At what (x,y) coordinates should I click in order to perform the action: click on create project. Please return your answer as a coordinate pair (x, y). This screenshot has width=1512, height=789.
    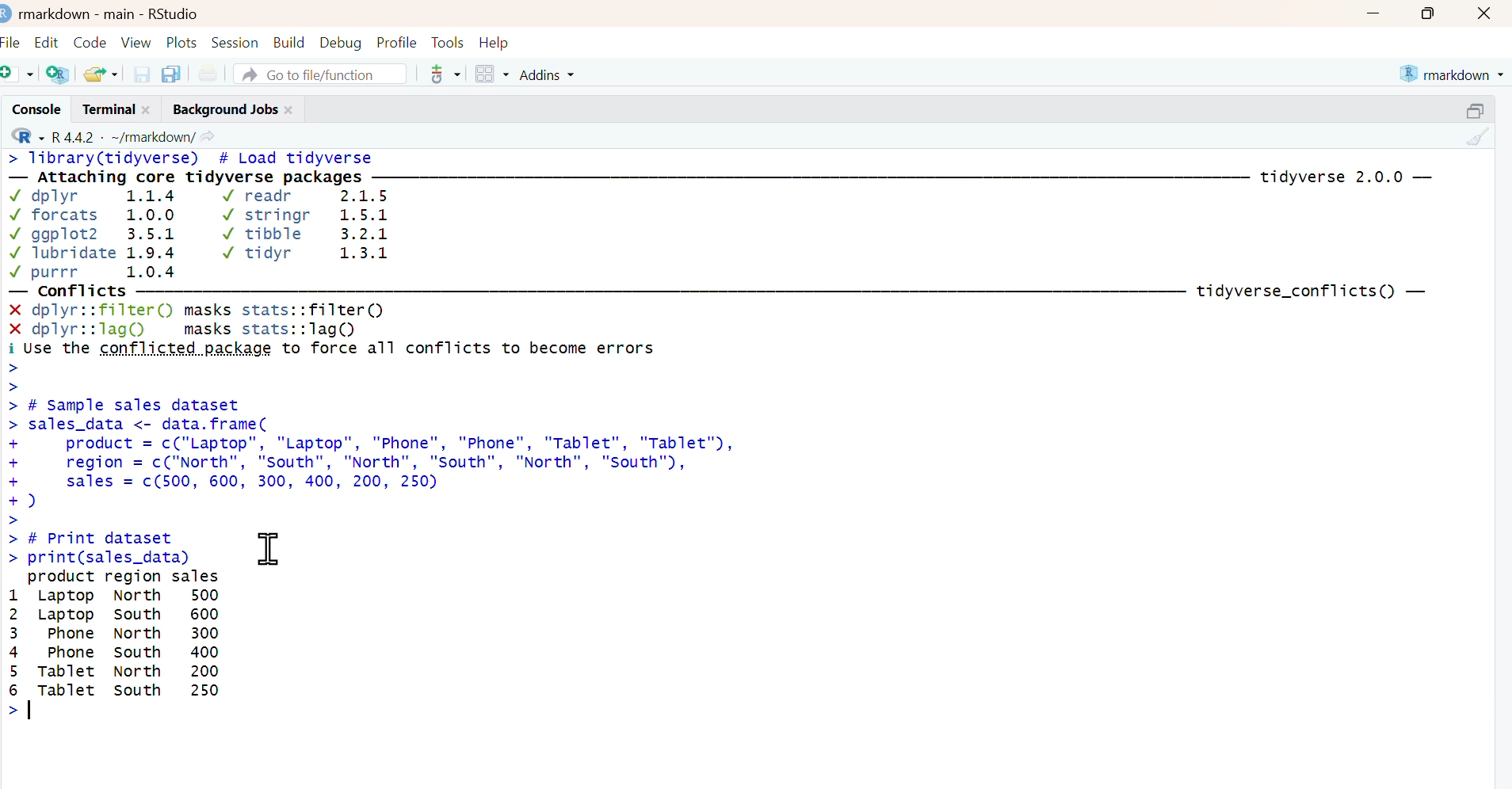
    Looking at the image, I should click on (57, 74).